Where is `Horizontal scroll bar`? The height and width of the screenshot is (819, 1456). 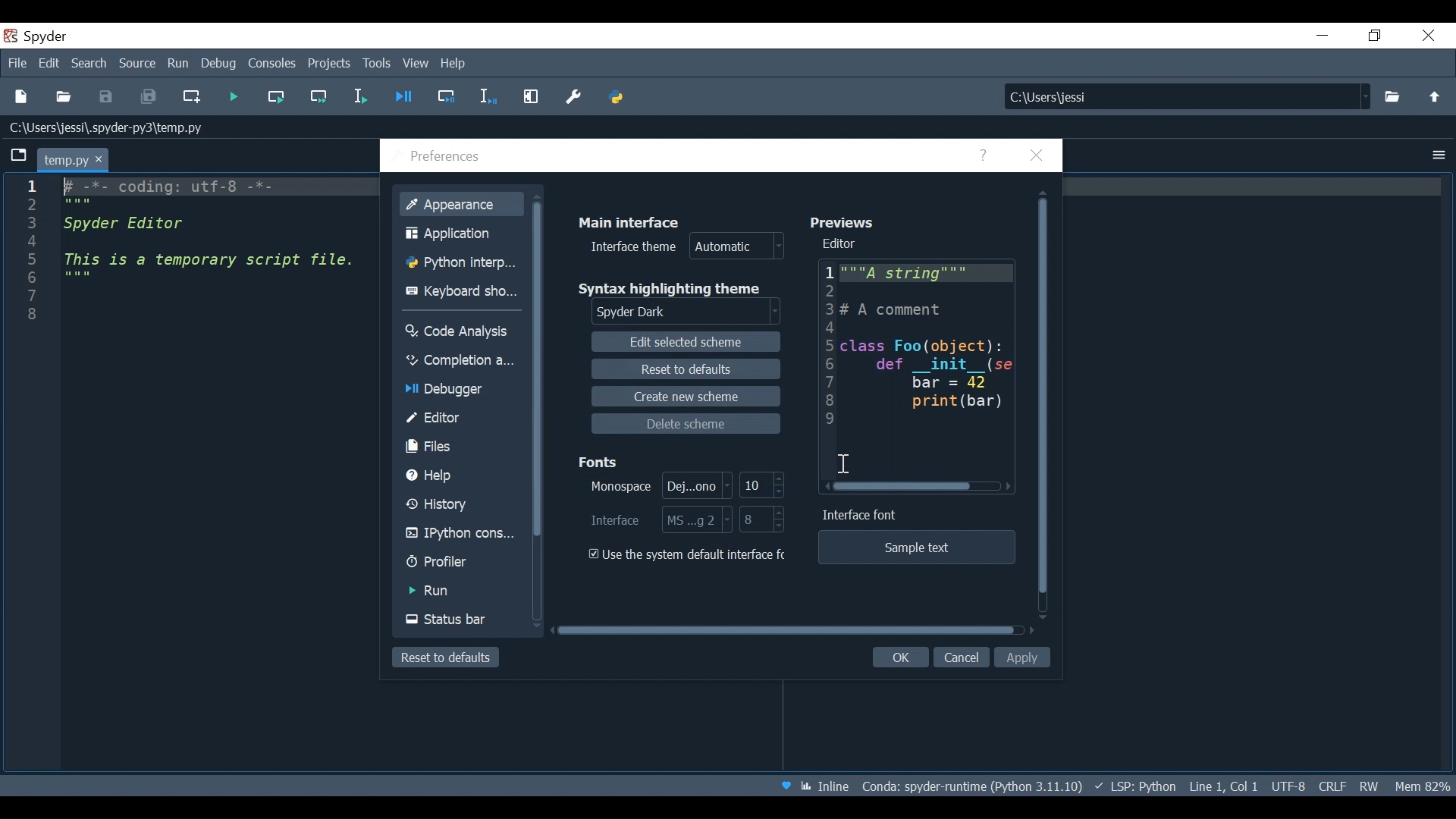 Horizontal scroll bar is located at coordinates (786, 629).